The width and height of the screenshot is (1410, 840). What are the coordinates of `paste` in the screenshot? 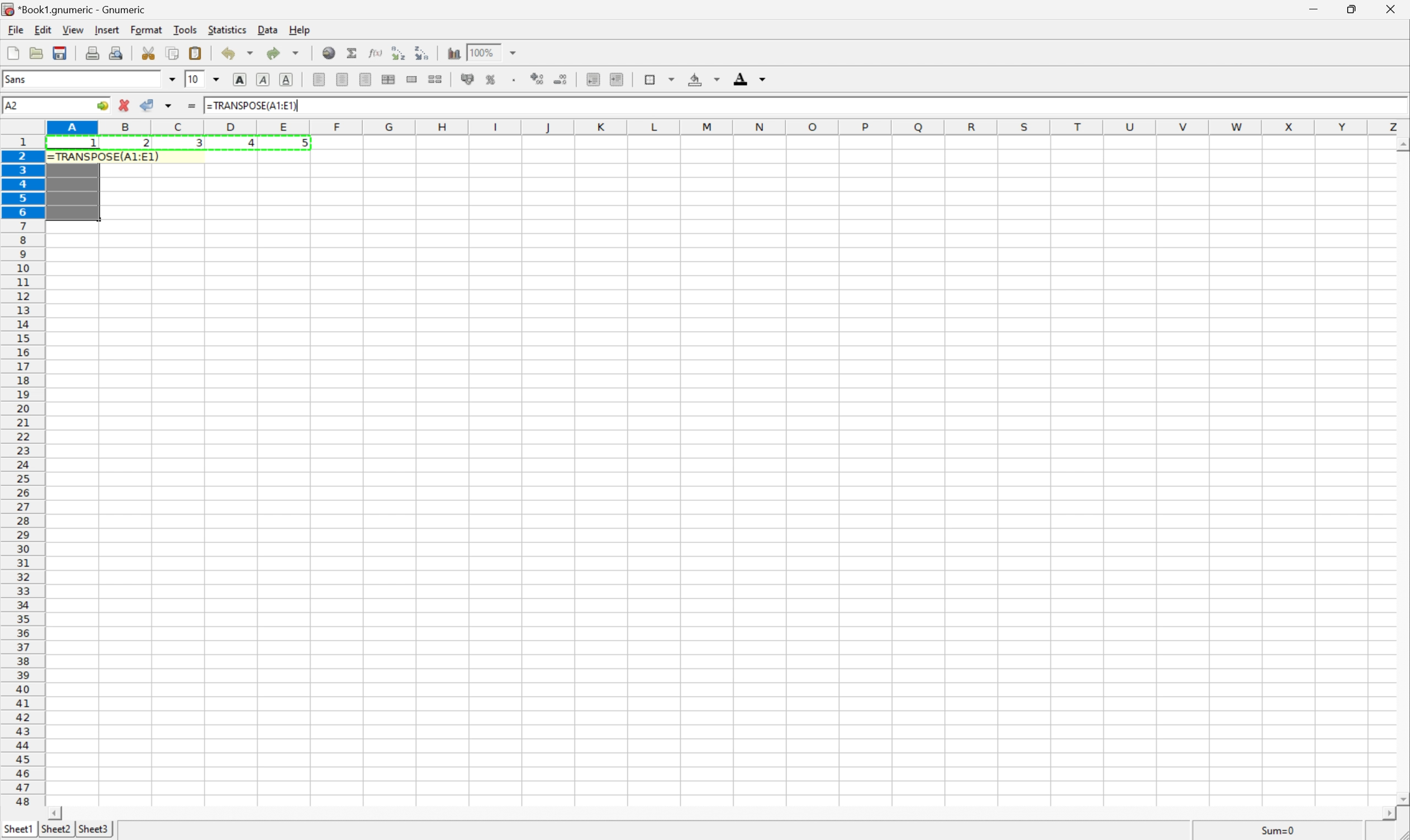 It's located at (195, 52).